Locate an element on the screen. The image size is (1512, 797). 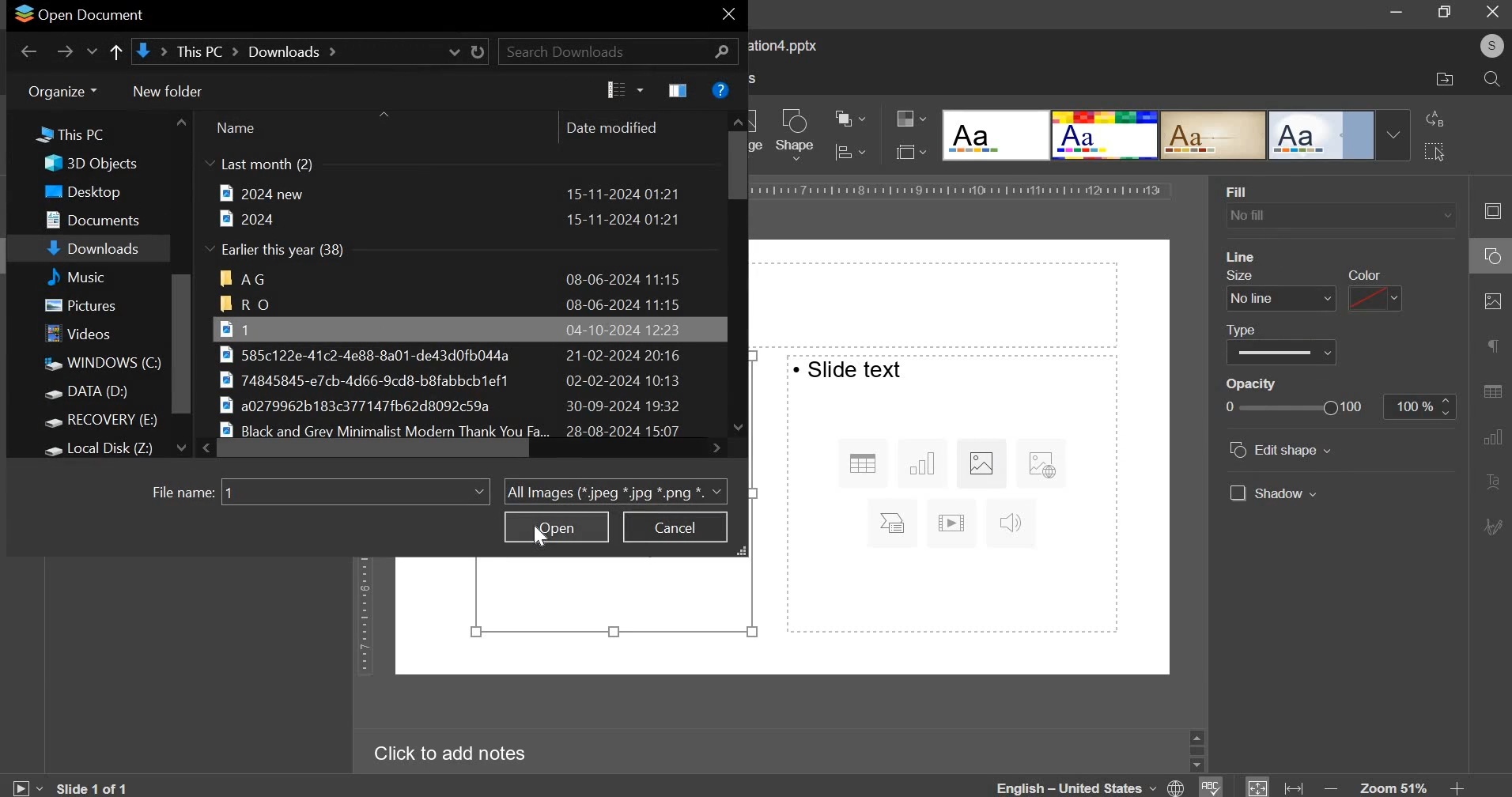
Folder  is located at coordinates (451, 304).